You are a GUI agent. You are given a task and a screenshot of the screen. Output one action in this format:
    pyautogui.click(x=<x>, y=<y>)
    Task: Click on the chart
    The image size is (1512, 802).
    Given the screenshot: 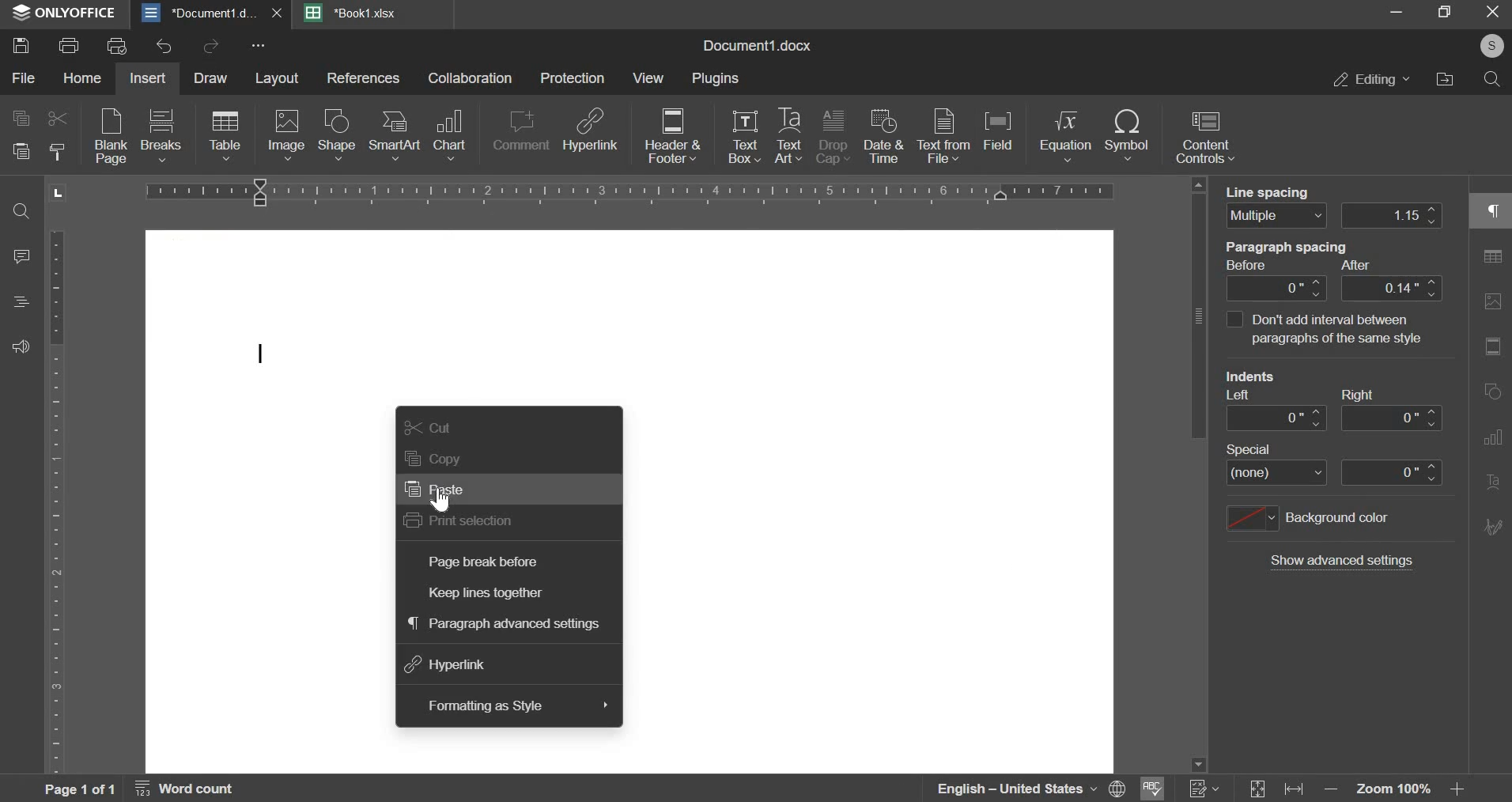 What is the action you would take?
    pyautogui.click(x=449, y=134)
    